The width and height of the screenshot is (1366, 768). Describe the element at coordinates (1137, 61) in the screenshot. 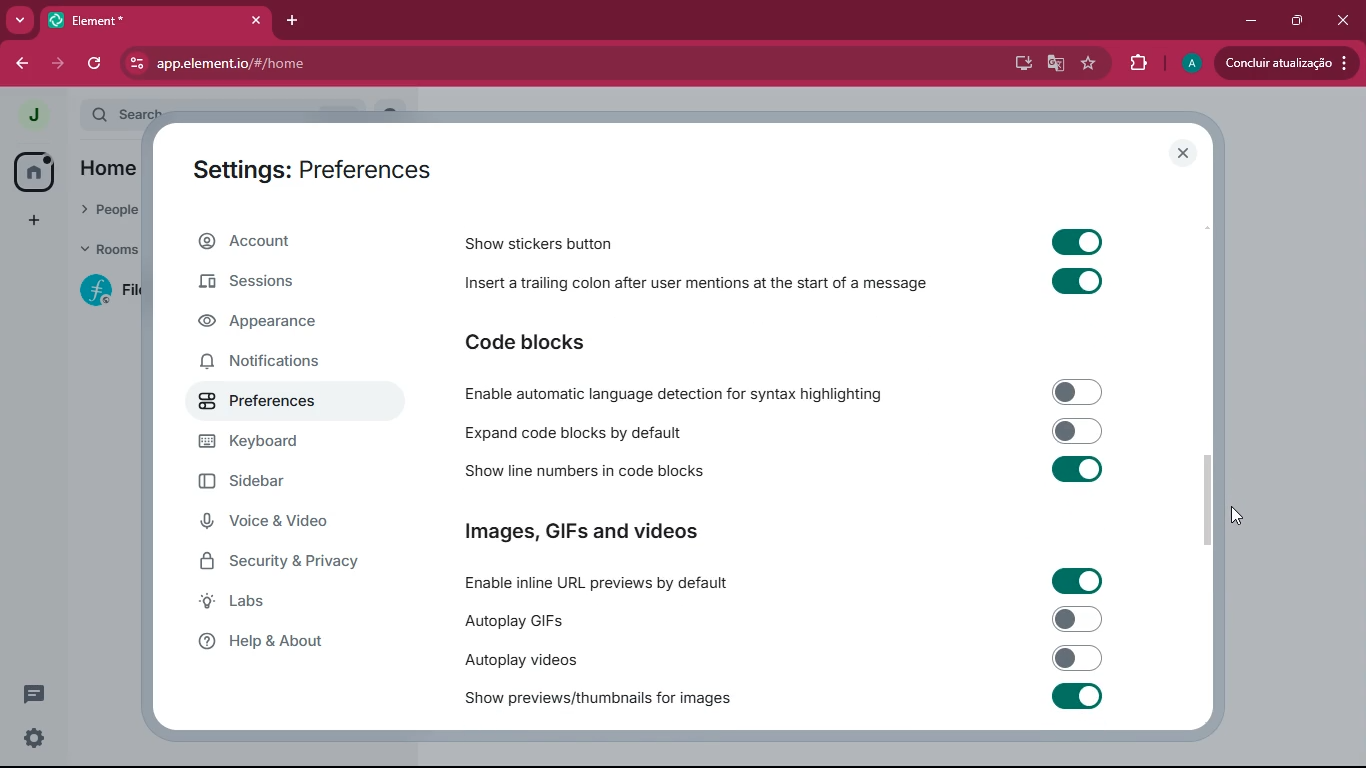

I see `extensions` at that location.